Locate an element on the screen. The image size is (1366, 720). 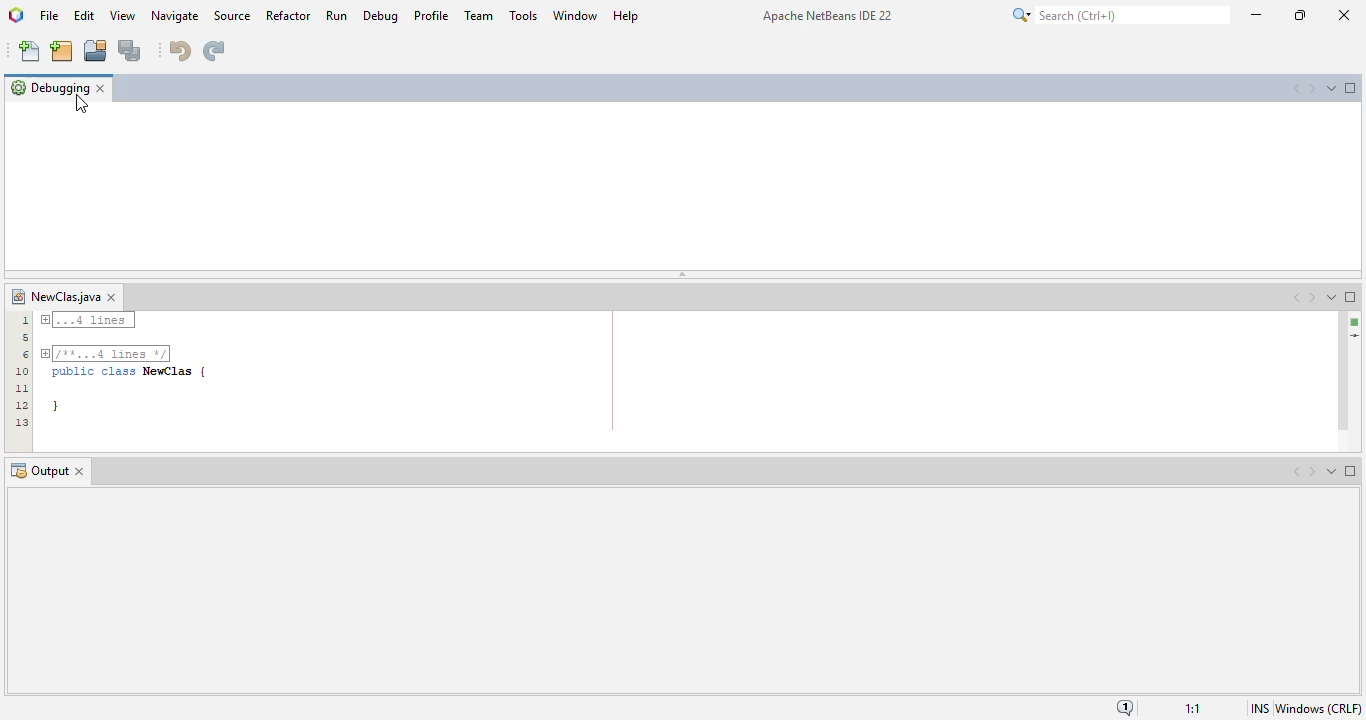
search (Ctrl + I) is located at coordinates (1120, 15).